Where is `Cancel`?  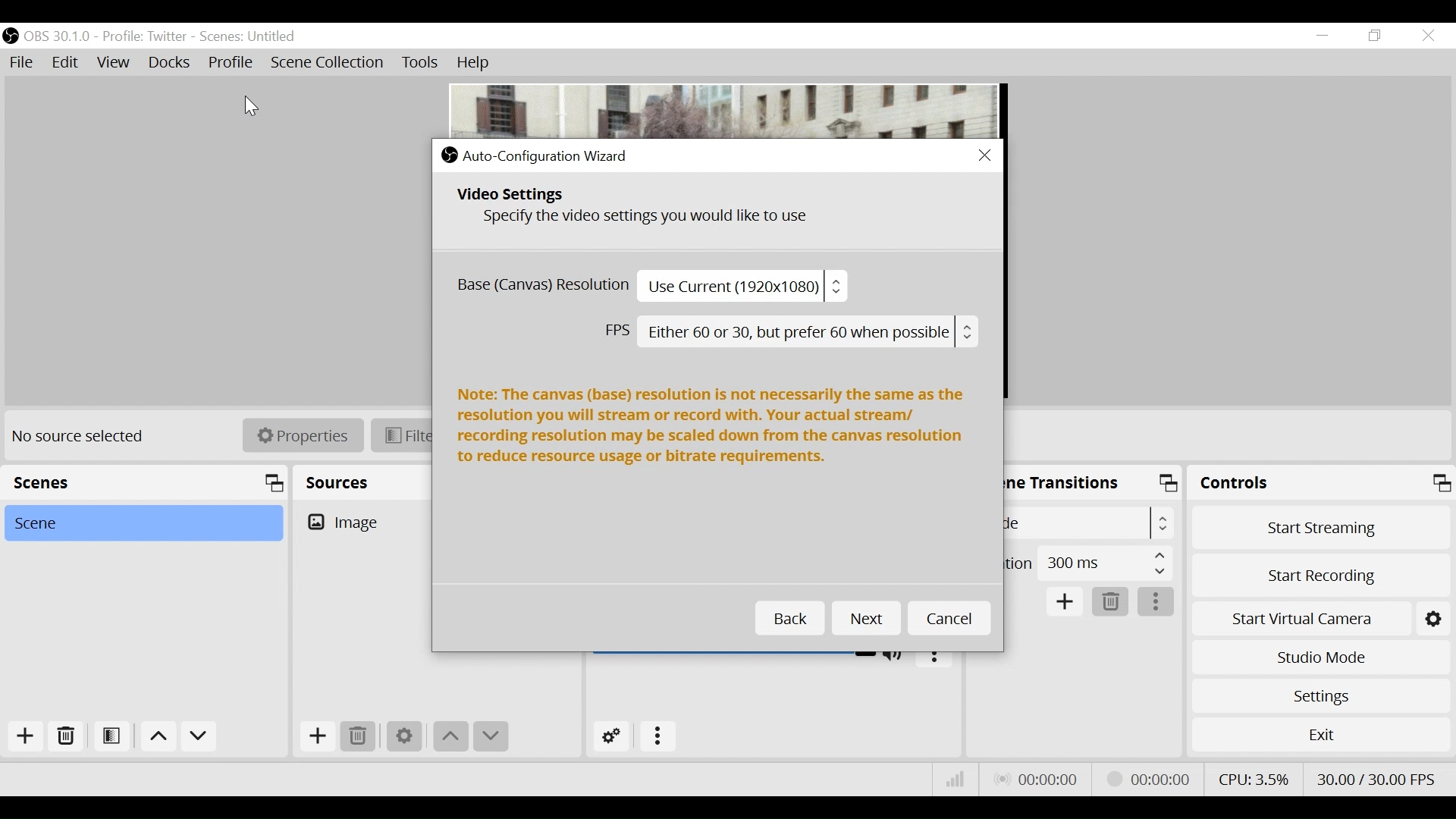
Cancel is located at coordinates (947, 618).